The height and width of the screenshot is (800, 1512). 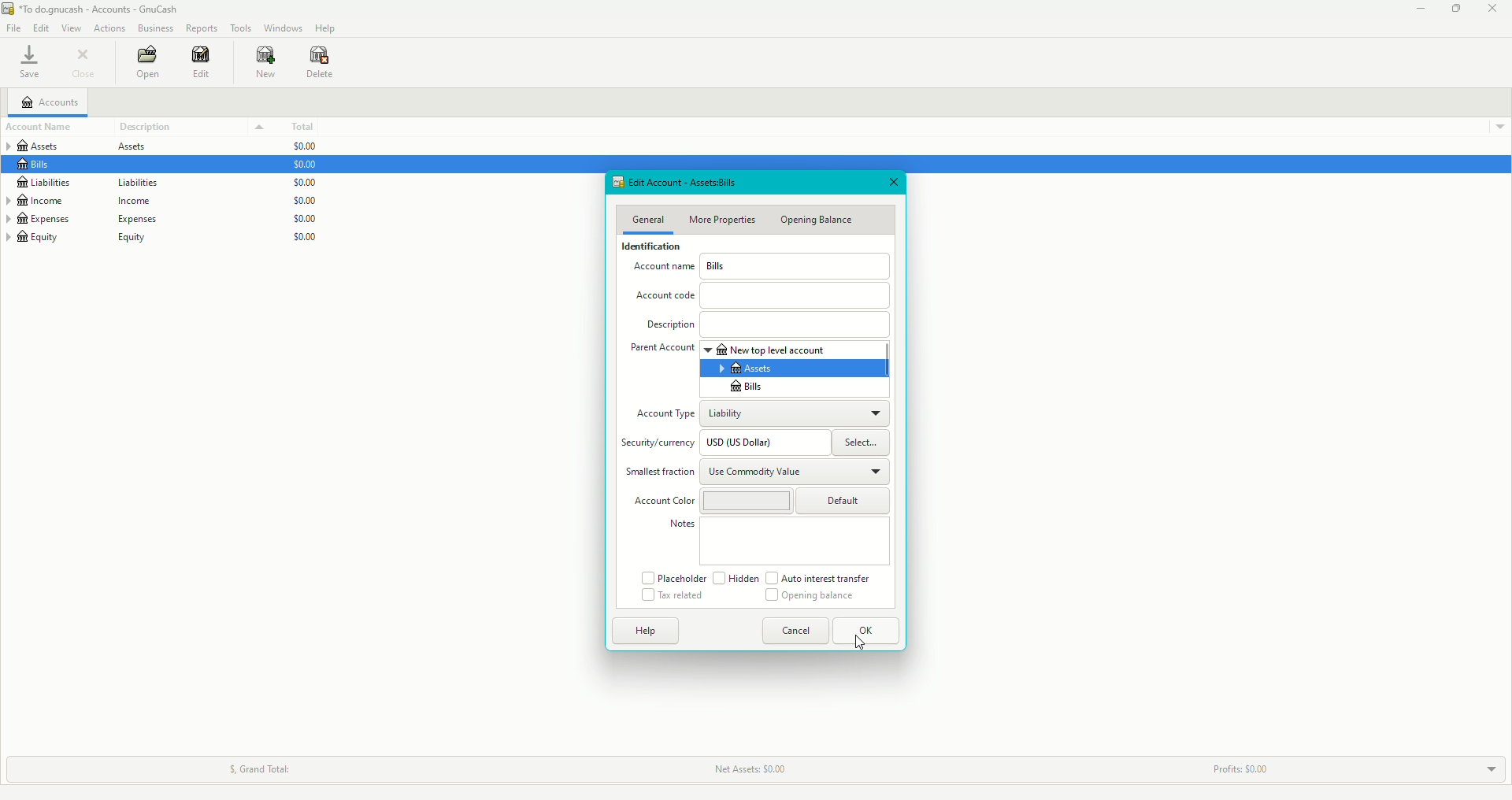 What do you see at coordinates (653, 248) in the screenshot?
I see `Identification` at bounding box center [653, 248].